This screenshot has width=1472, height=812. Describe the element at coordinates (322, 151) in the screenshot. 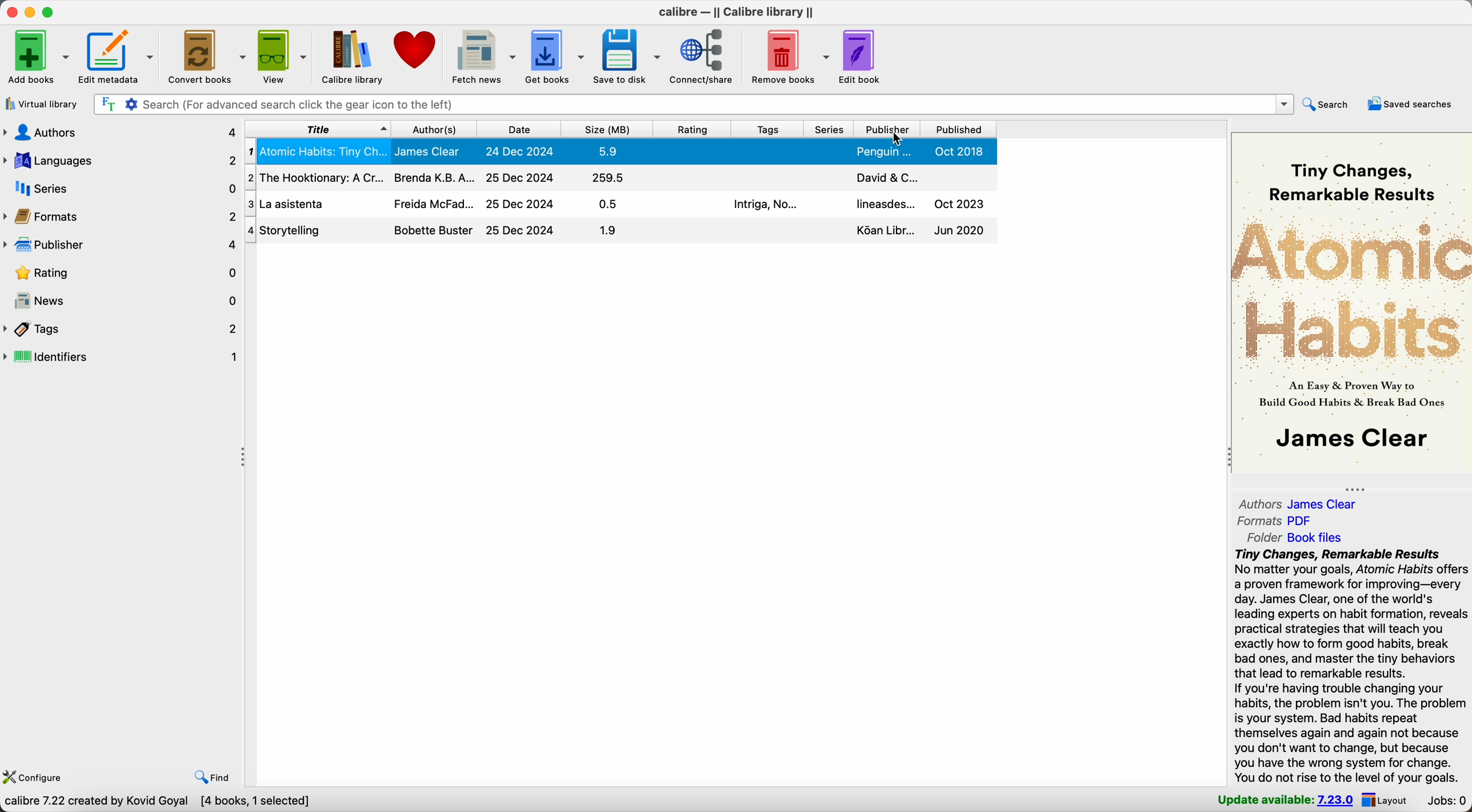

I see `atomic habits: tiny ch...` at that location.